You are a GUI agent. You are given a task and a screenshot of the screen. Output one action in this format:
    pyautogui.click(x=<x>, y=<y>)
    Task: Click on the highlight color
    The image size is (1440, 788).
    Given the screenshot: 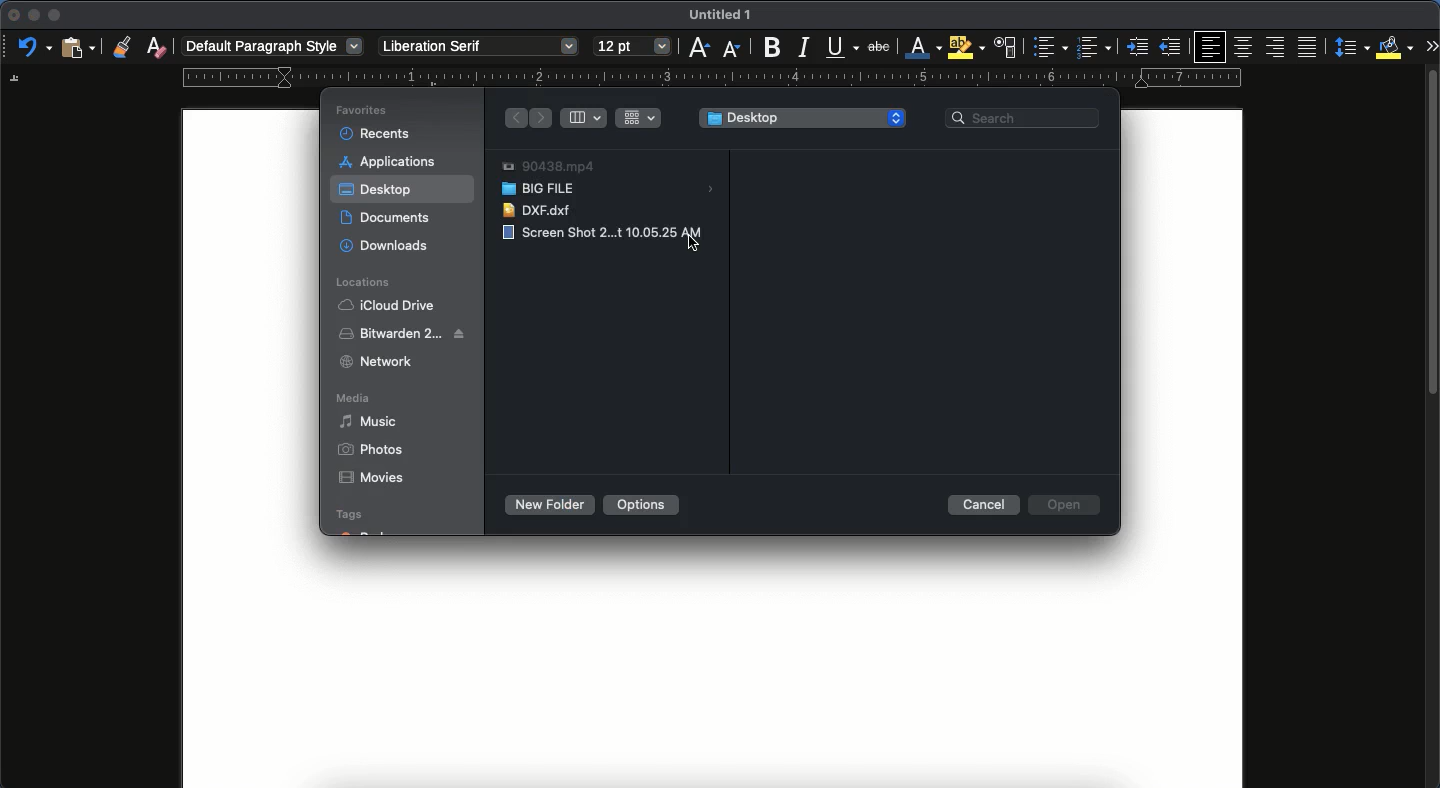 What is the action you would take?
    pyautogui.click(x=964, y=47)
    